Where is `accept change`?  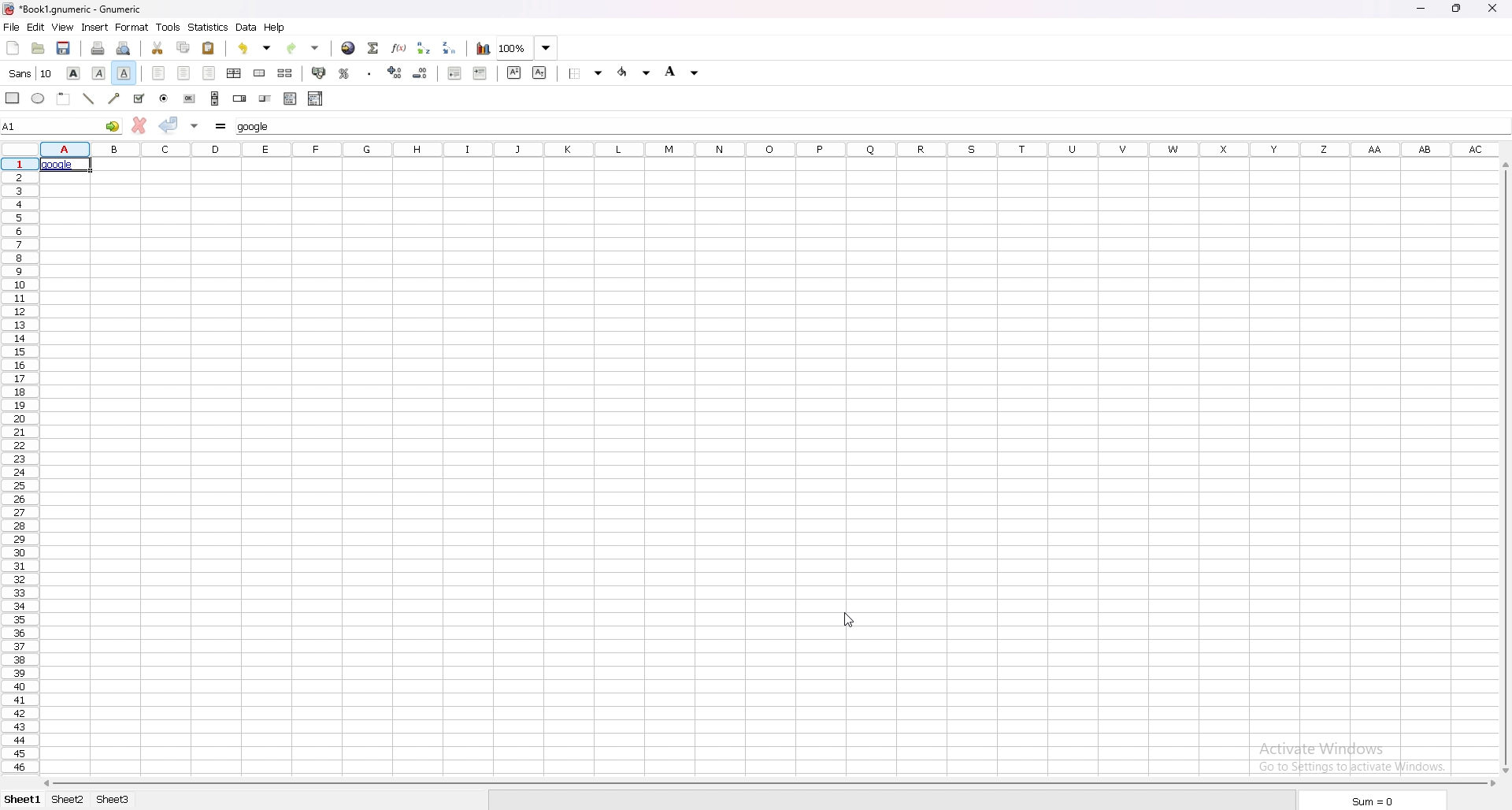
accept change is located at coordinates (169, 124).